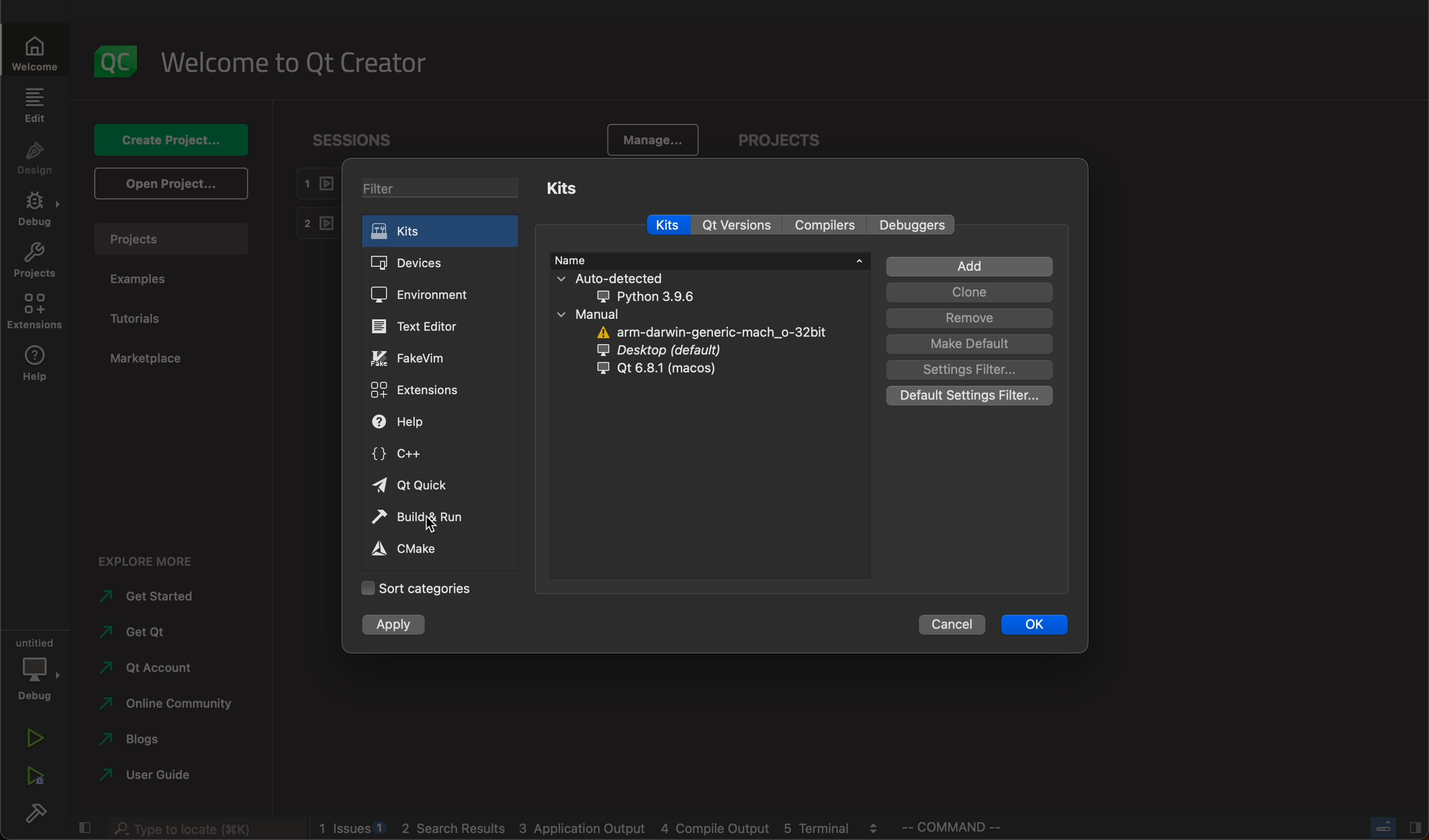 The image size is (1429, 840). Describe the element at coordinates (156, 668) in the screenshot. I see `account` at that location.